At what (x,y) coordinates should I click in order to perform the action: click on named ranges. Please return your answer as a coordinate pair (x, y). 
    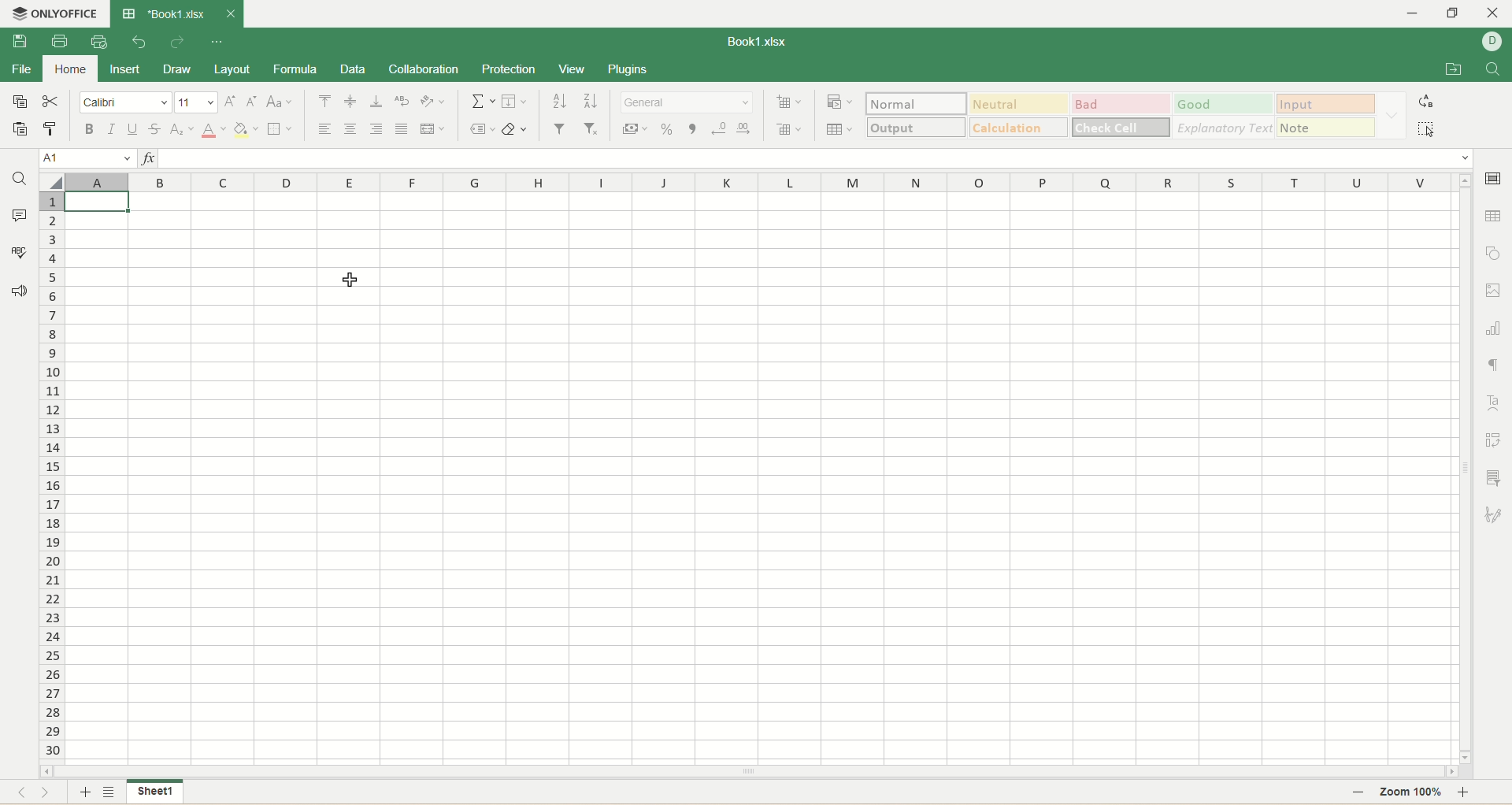
    Looking at the image, I should click on (482, 128).